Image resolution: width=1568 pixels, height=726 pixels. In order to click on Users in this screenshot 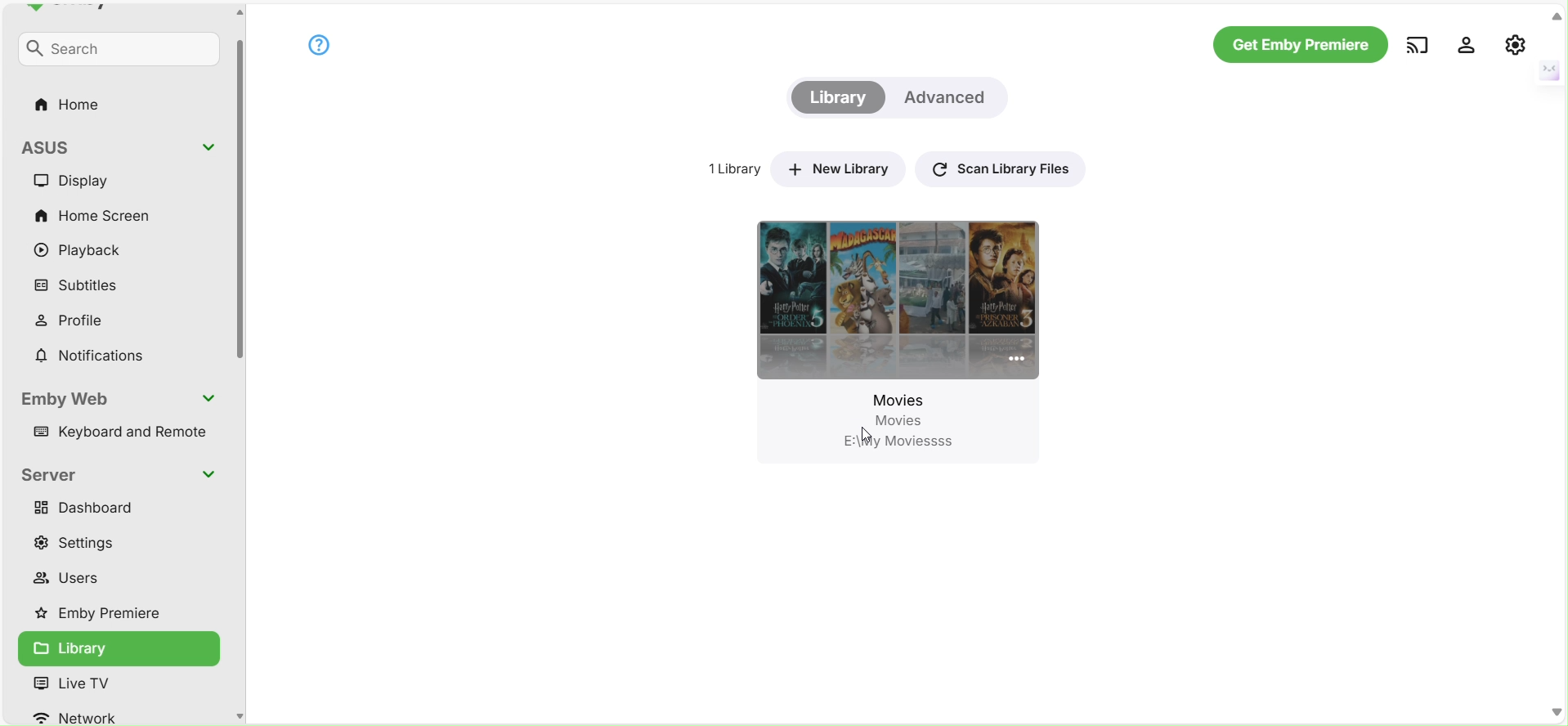, I will do `click(75, 576)`.